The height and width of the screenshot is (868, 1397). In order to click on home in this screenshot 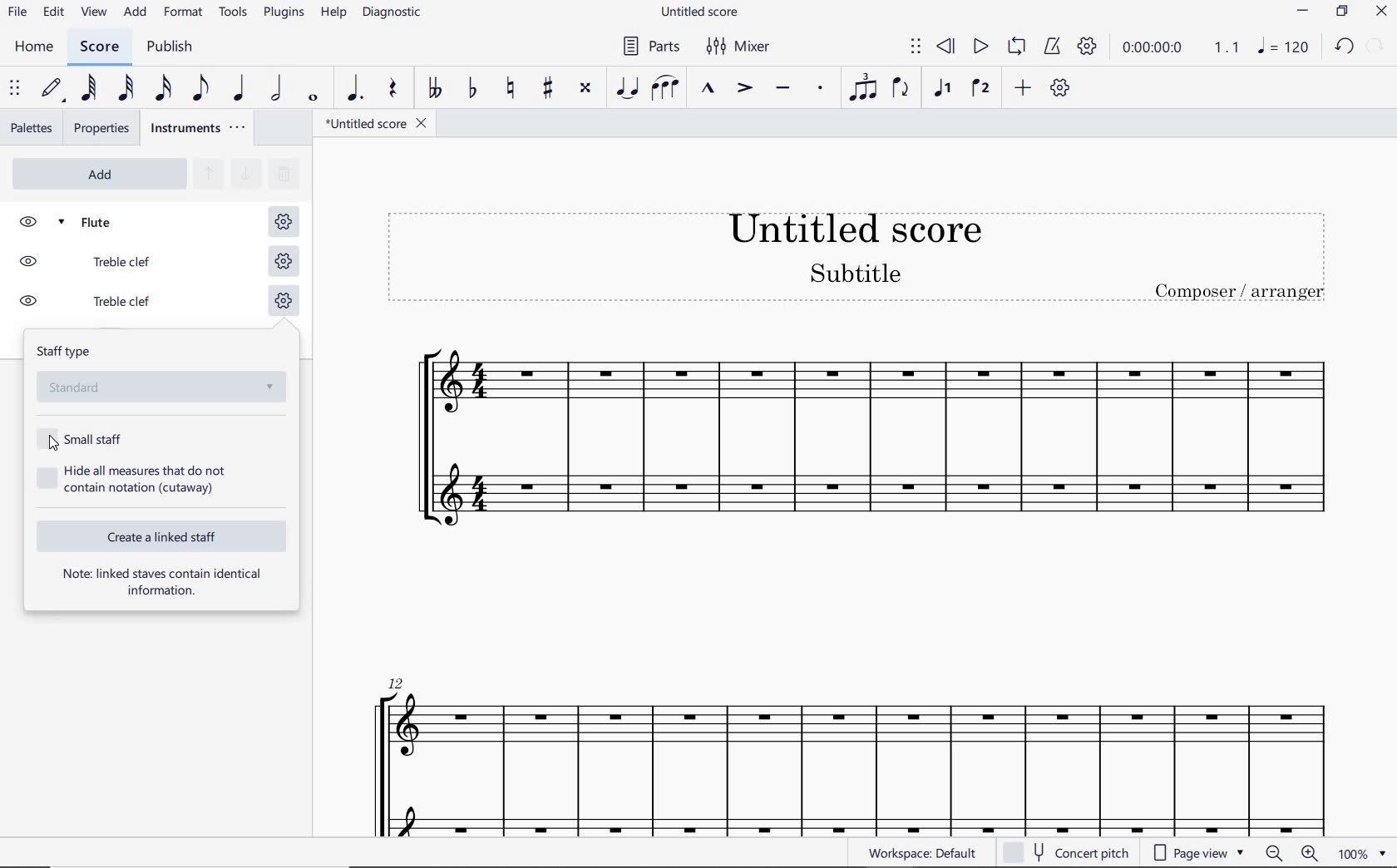, I will do `click(38, 49)`.